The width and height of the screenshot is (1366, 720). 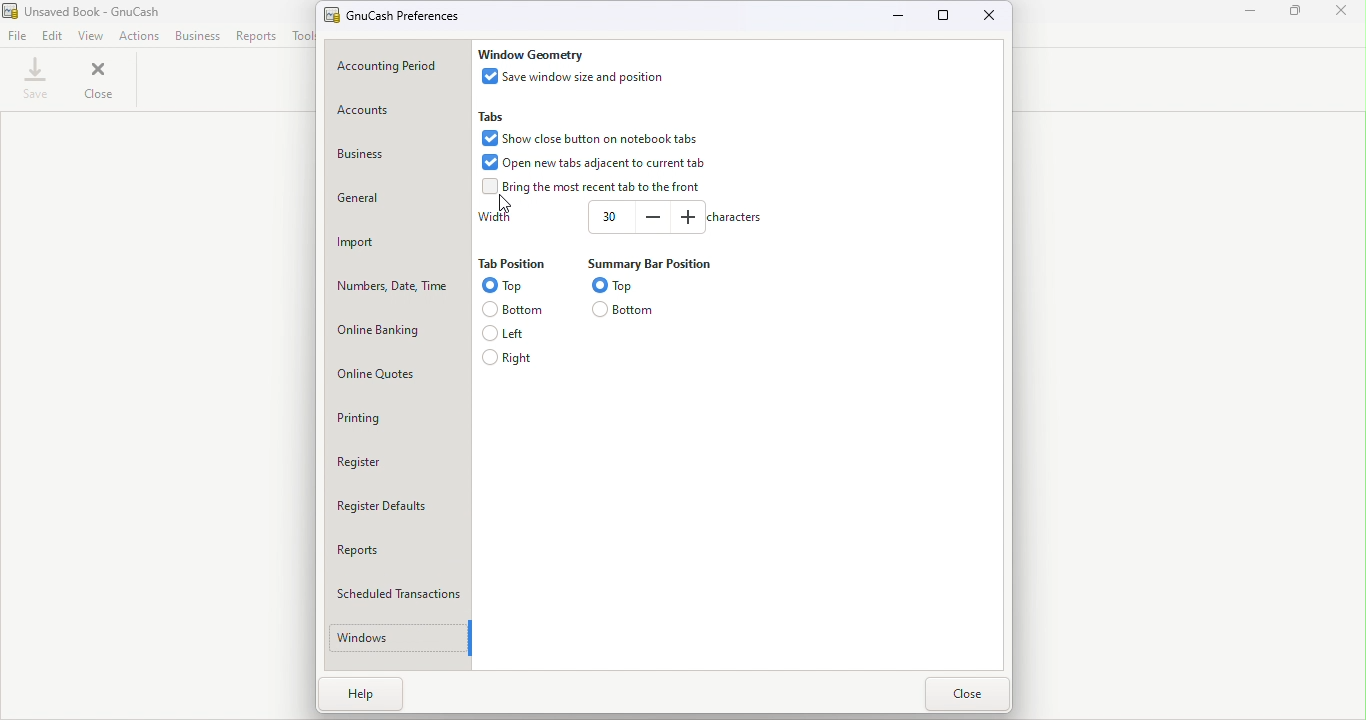 What do you see at coordinates (509, 332) in the screenshot?
I see `Left` at bounding box center [509, 332].